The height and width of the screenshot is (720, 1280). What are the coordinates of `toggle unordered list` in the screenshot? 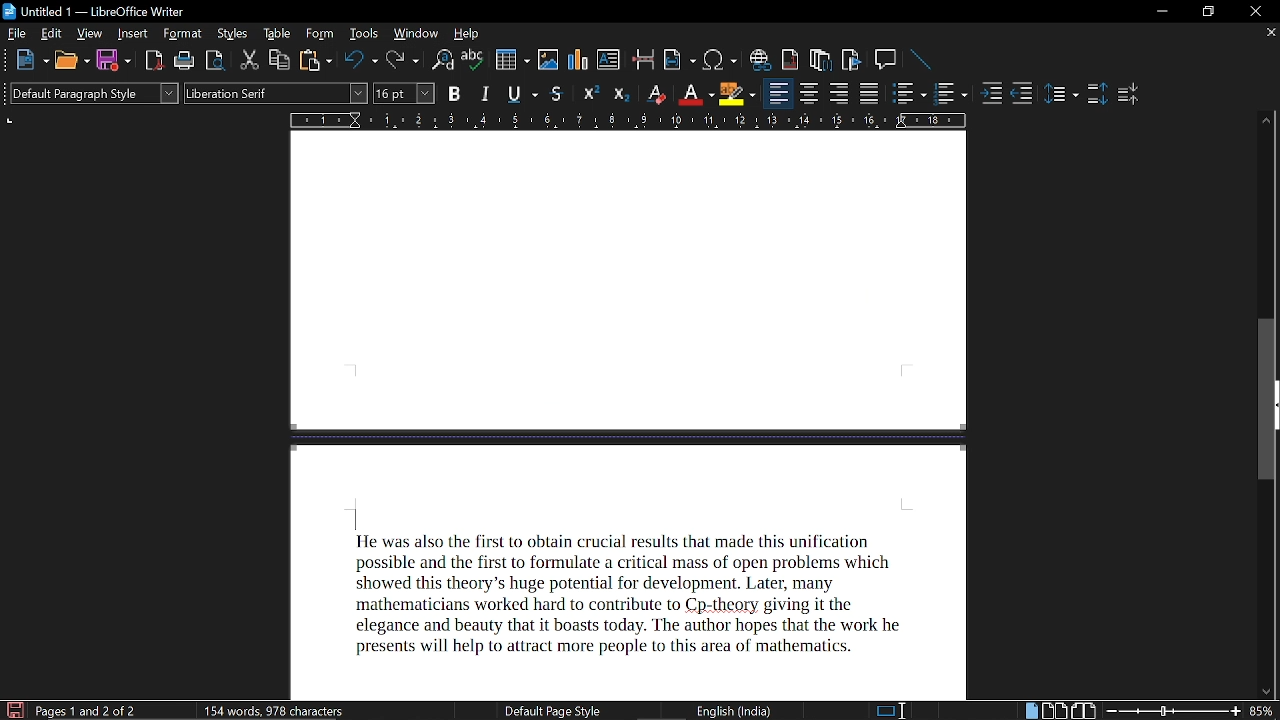 It's located at (951, 94).